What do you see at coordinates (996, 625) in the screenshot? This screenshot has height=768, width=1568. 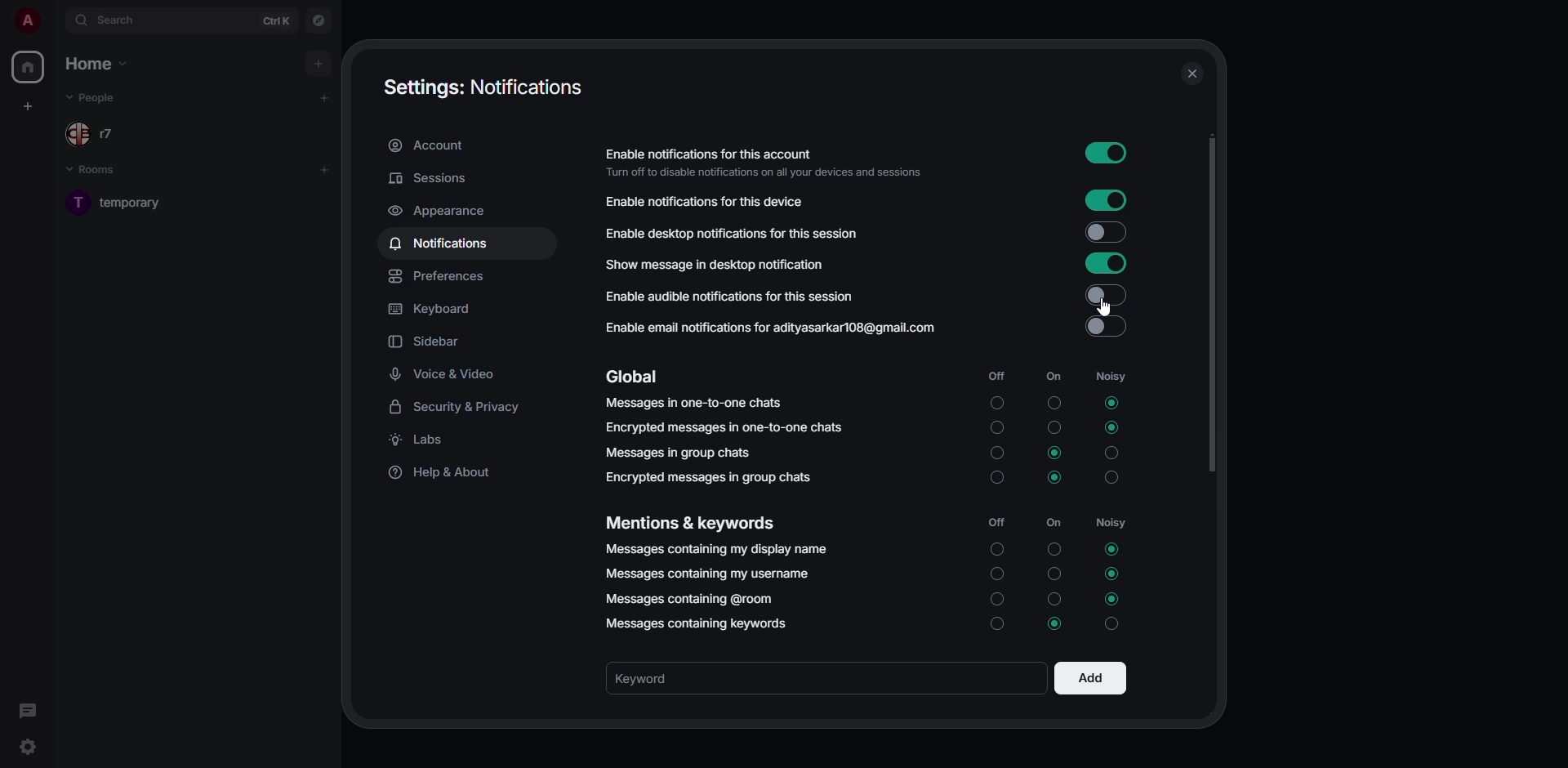 I see `off` at bounding box center [996, 625].